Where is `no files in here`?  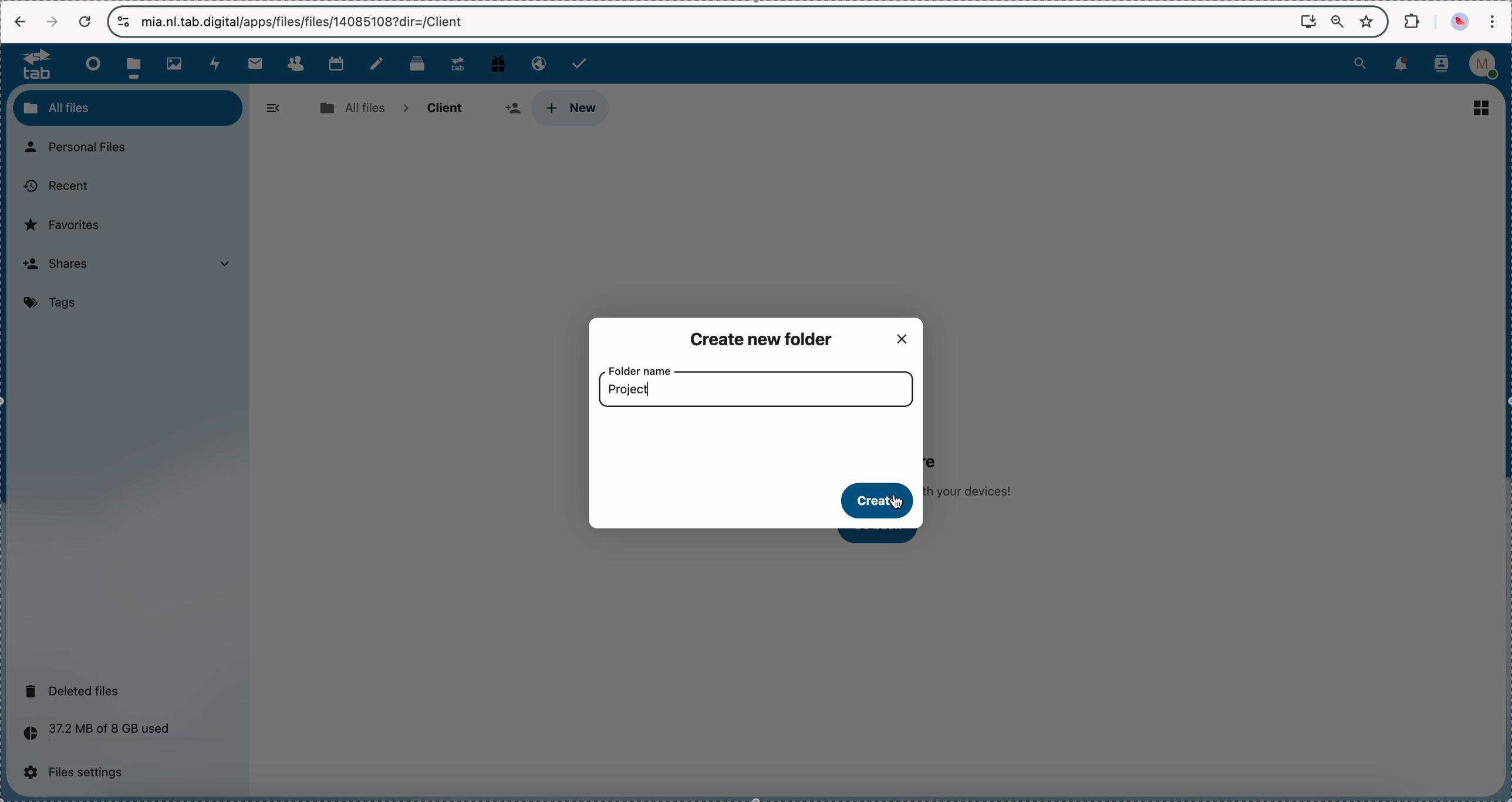
no files in here is located at coordinates (977, 472).